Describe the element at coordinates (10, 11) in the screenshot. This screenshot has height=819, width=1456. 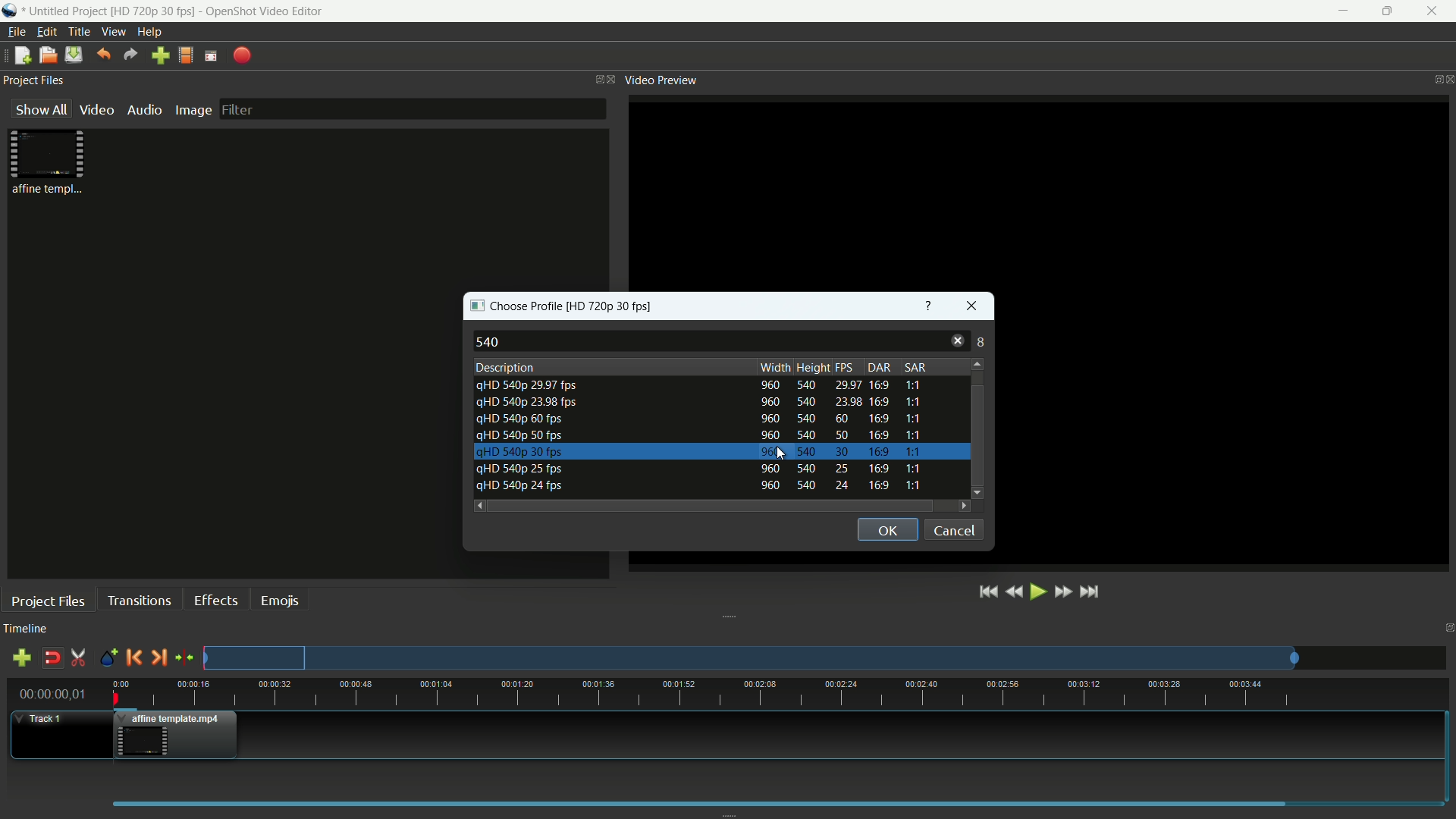
I see `app icon` at that location.